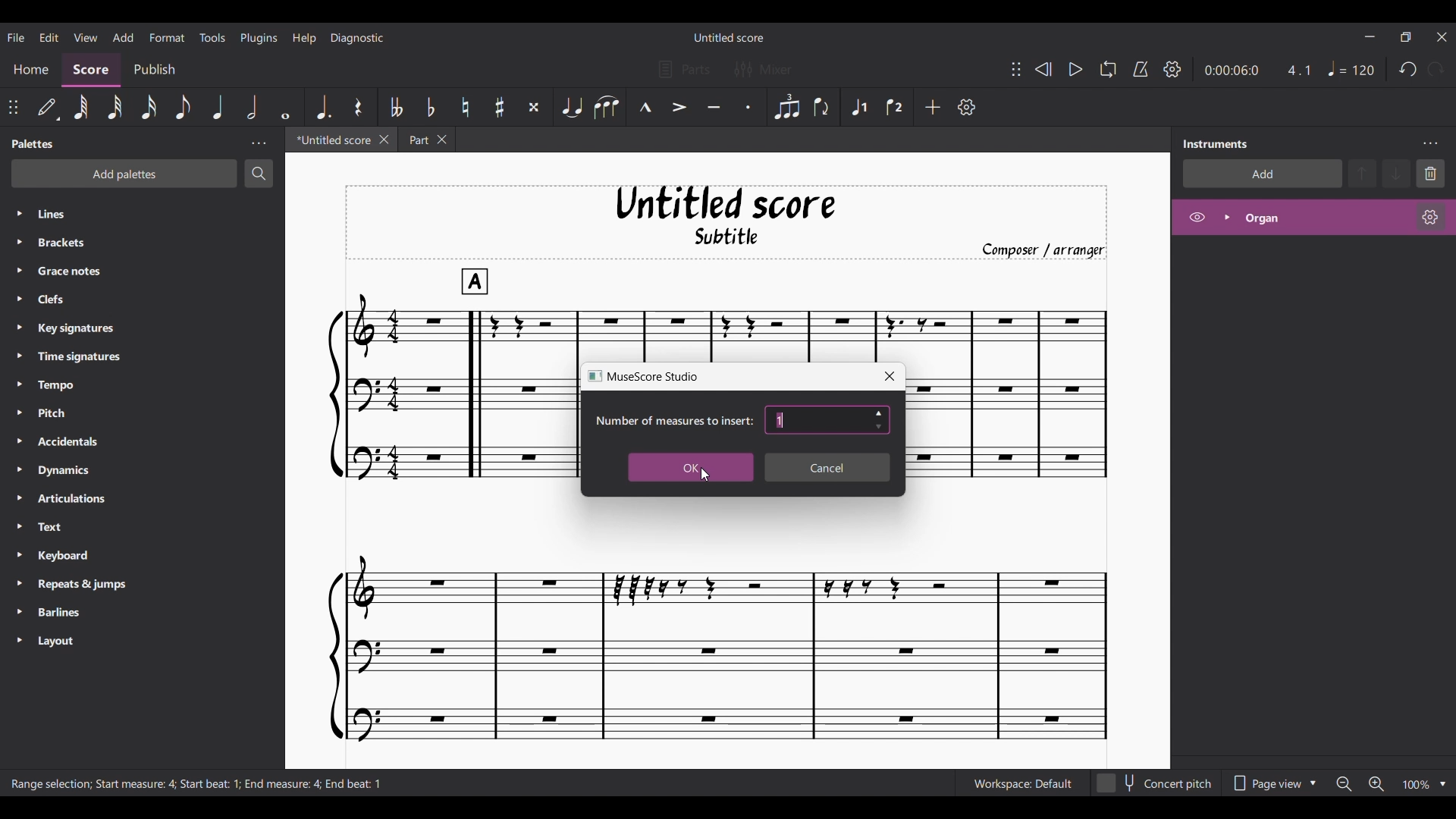 This screenshot has height=819, width=1456. I want to click on Score section, current selection, highlighted, so click(91, 69).